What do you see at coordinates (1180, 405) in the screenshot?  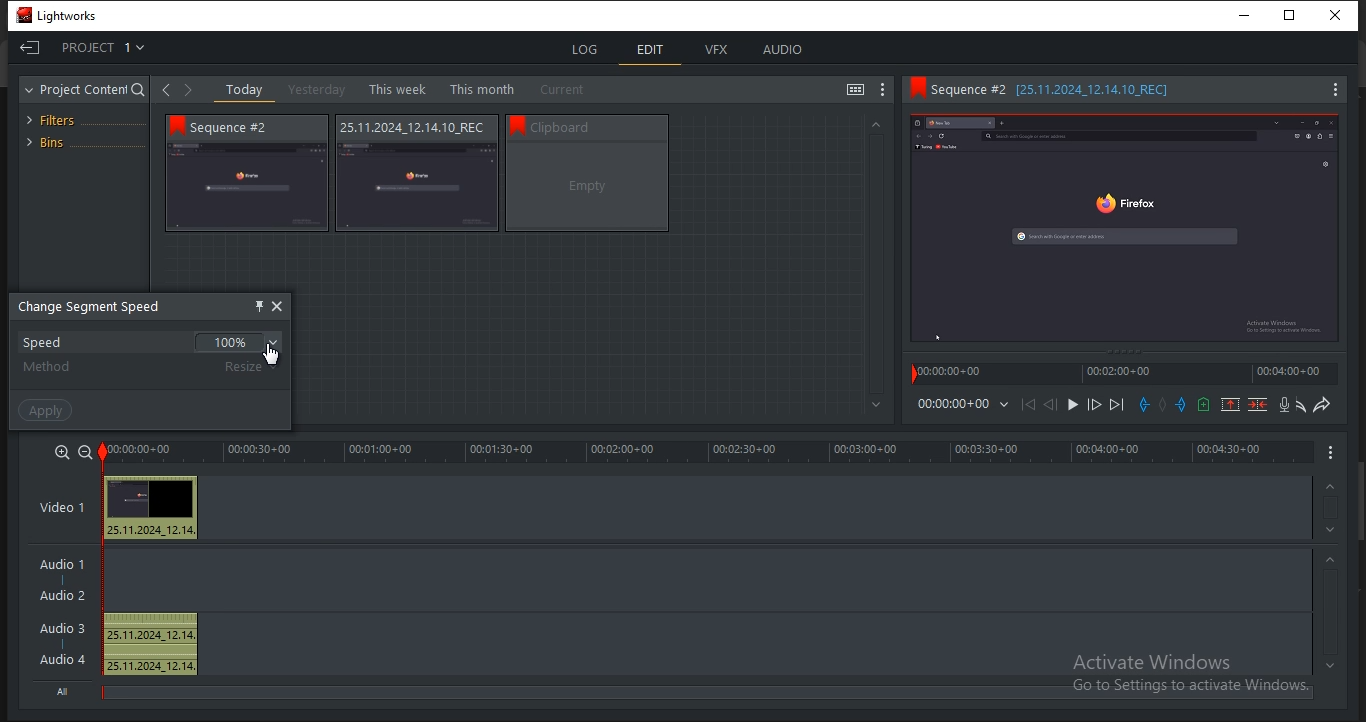 I see `add an out mark` at bounding box center [1180, 405].